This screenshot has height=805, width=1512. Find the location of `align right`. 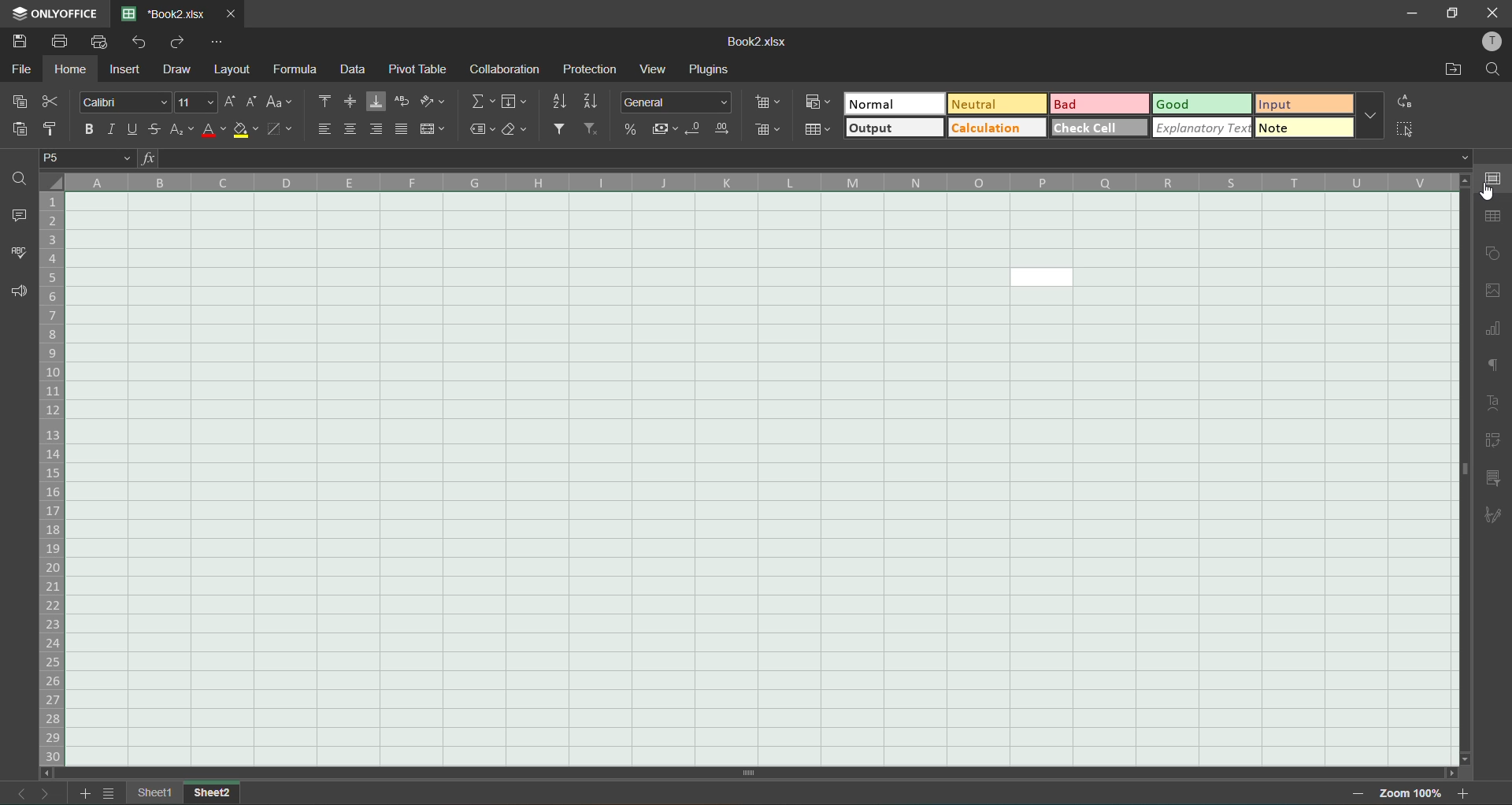

align right is located at coordinates (381, 130).